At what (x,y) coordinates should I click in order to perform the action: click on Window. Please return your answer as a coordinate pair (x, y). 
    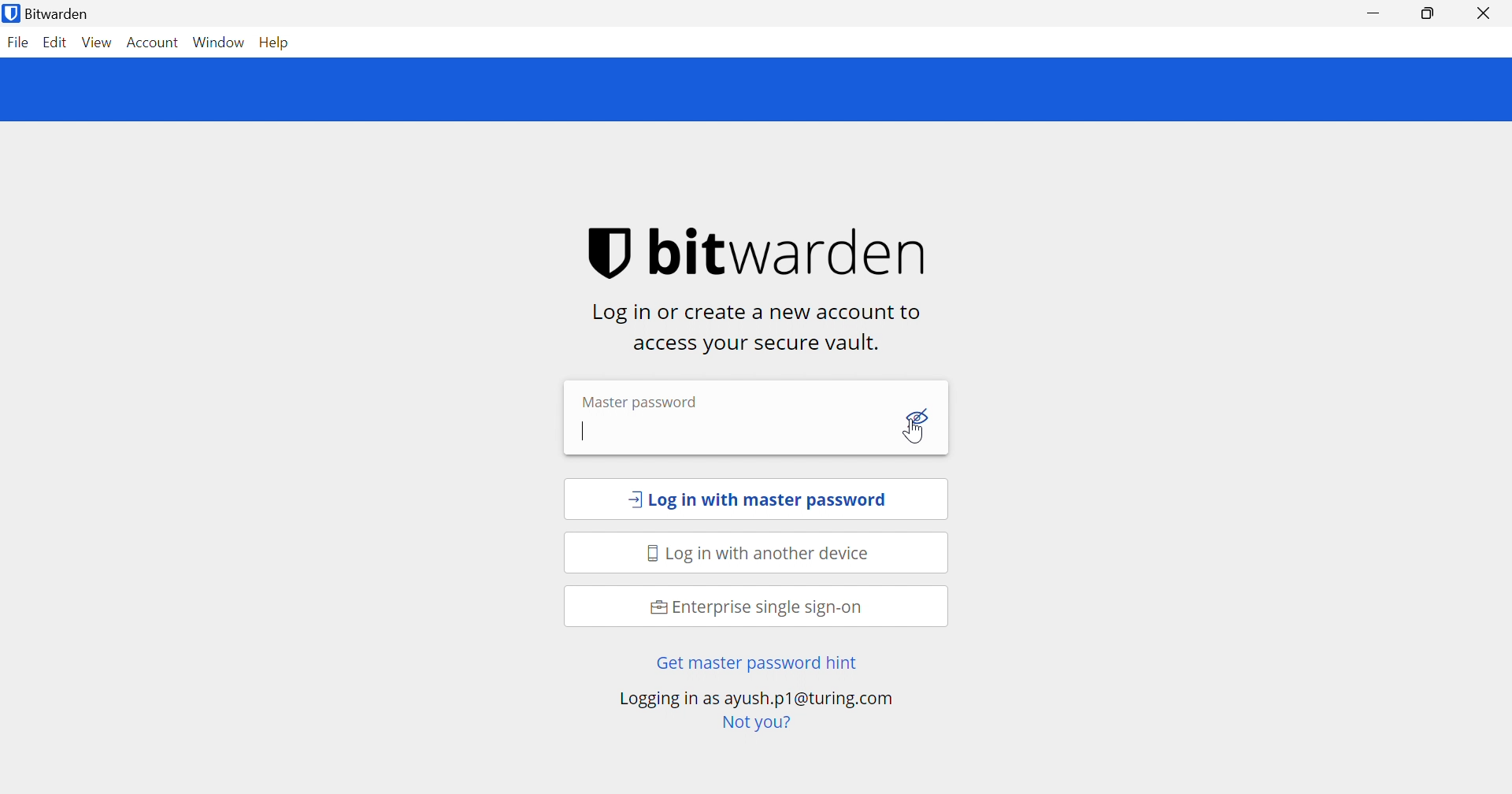
    Looking at the image, I should click on (220, 42).